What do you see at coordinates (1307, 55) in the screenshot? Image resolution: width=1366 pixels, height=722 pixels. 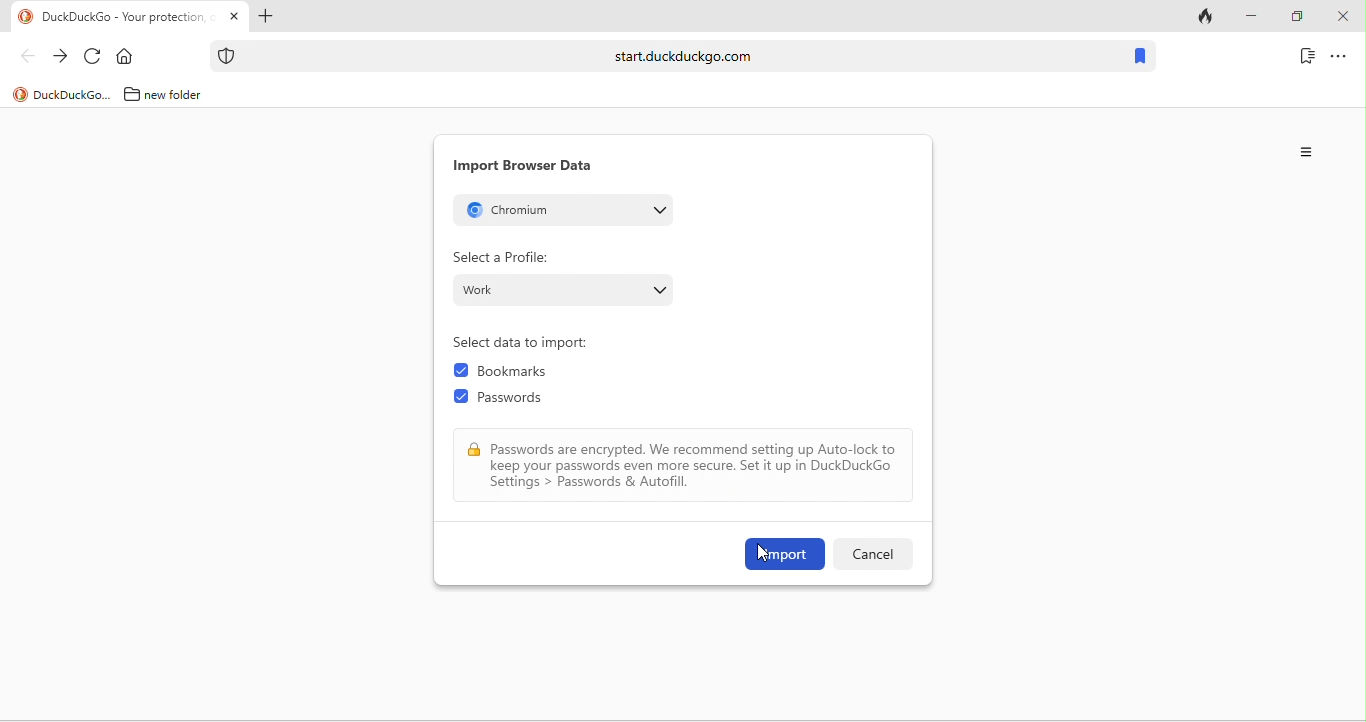 I see `bookmarks` at bounding box center [1307, 55].